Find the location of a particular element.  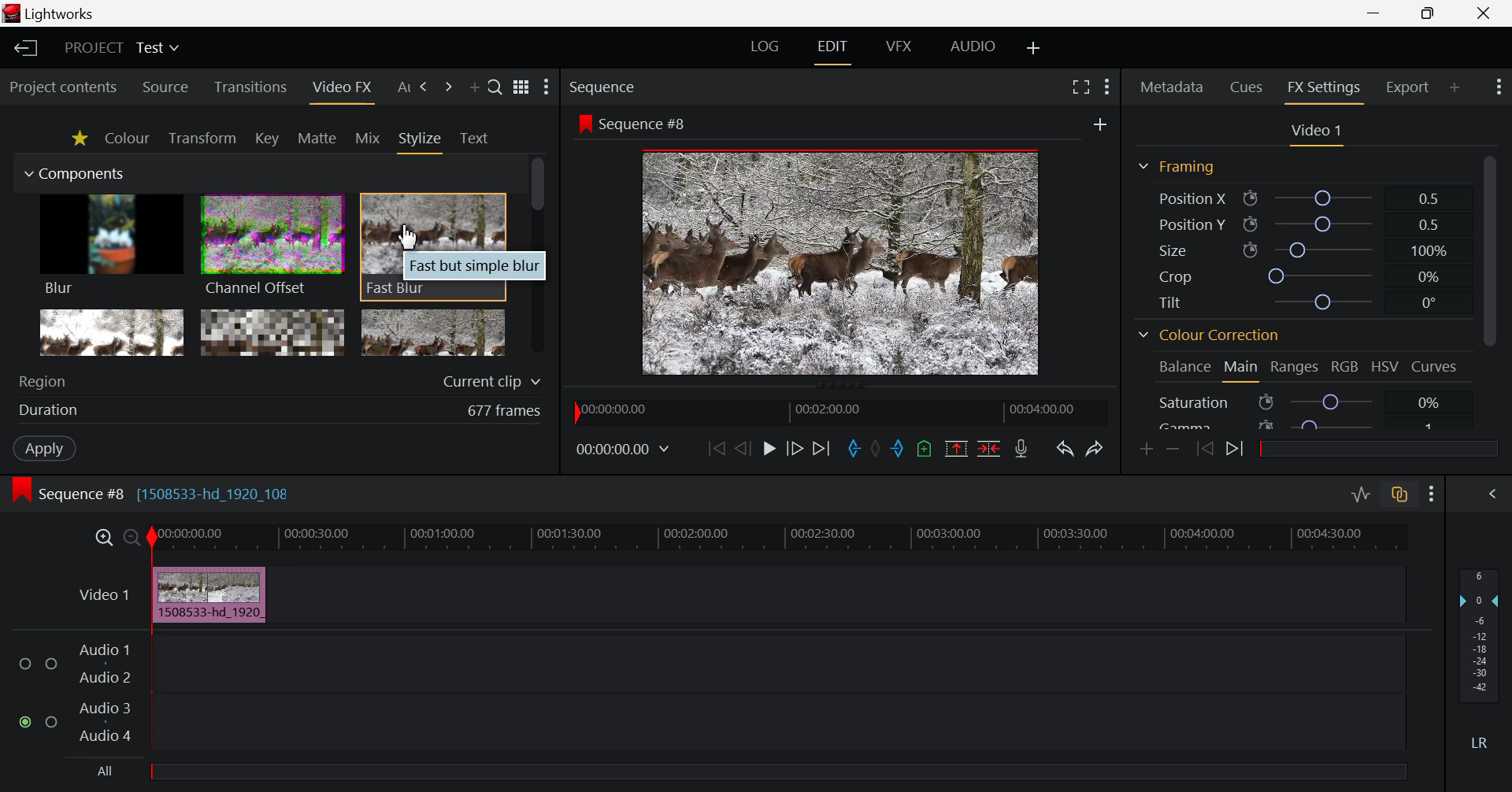

Video Layer  is located at coordinates (91, 593).